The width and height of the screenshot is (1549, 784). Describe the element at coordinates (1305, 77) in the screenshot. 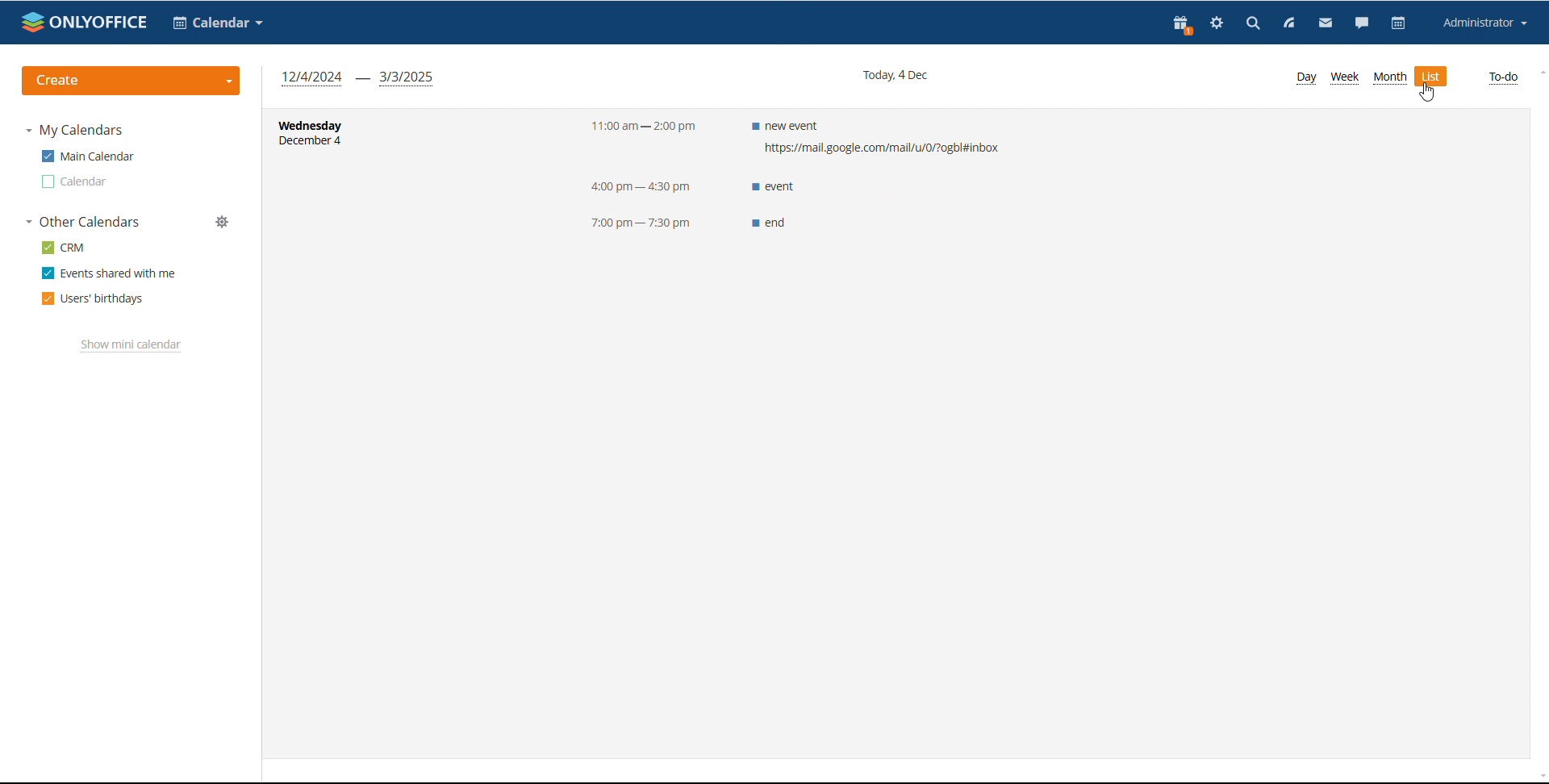

I see `day view` at that location.